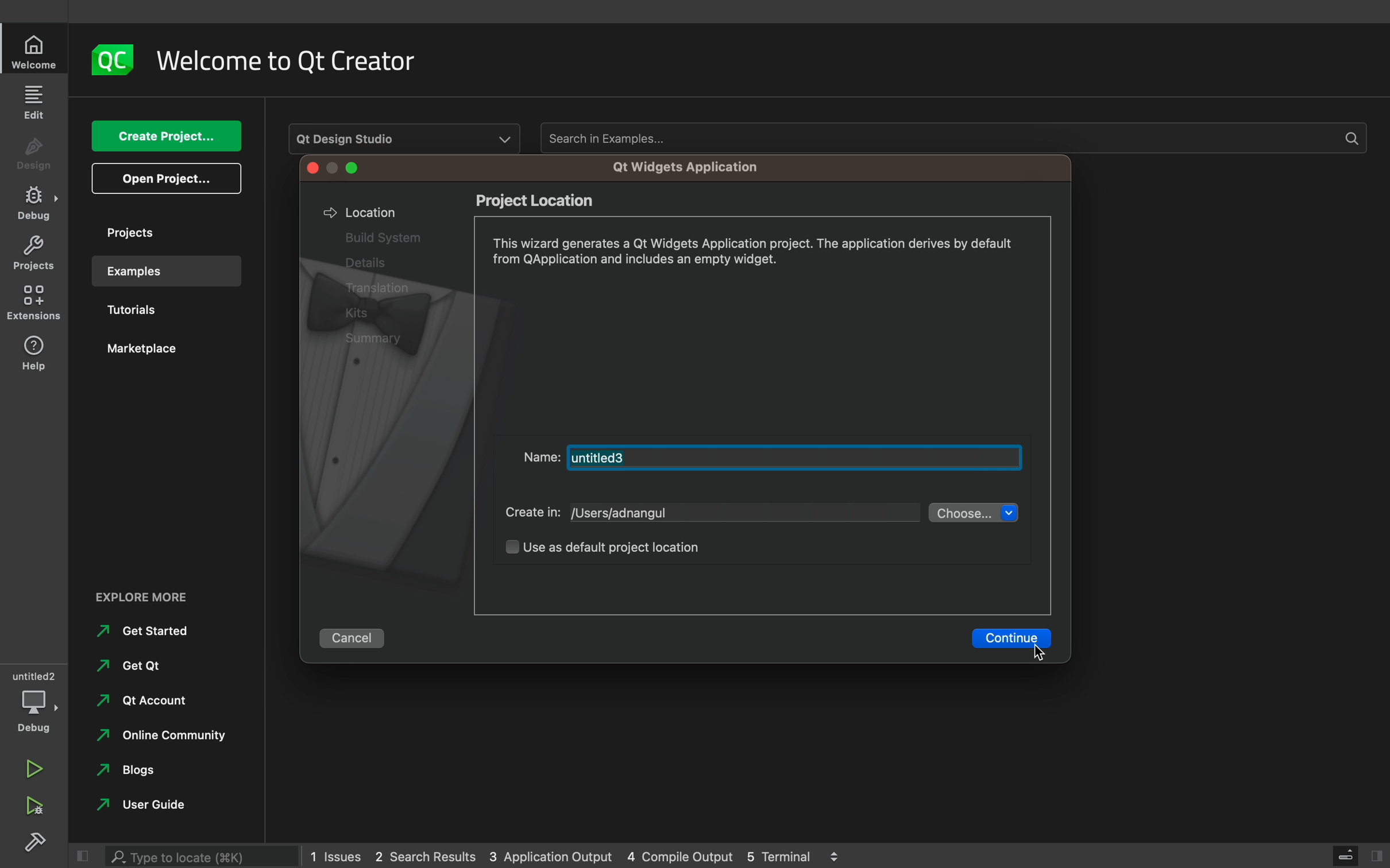  Describe the element at coordinates (335, 854) in the screenshot. I see `1 issues` at that location.